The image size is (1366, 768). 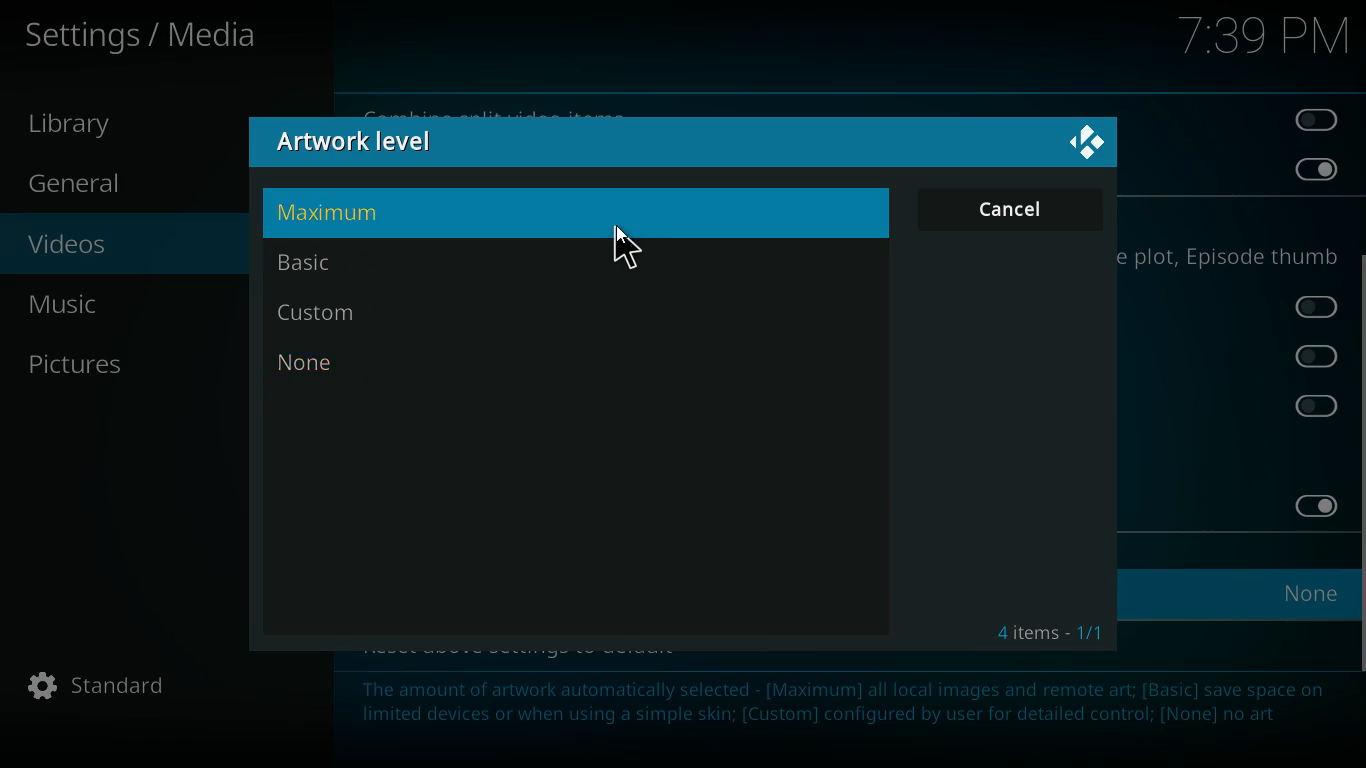 I want to click on on, so click(x=1316, y=168).